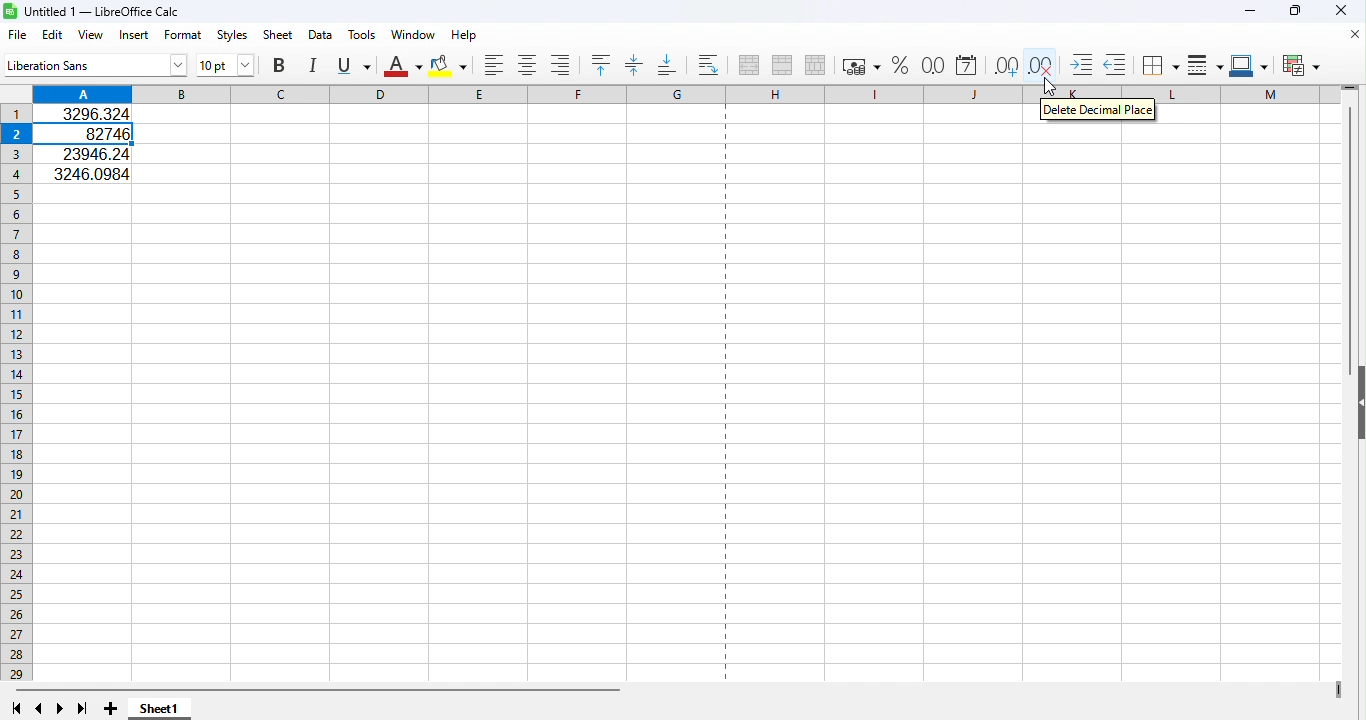 Image resolution: width=1366 pixels, height=720 pixels. What do you see at coordinates (110, 708) in the screenshot?
I see `Add new sheet` at bounding box center [110, 708].